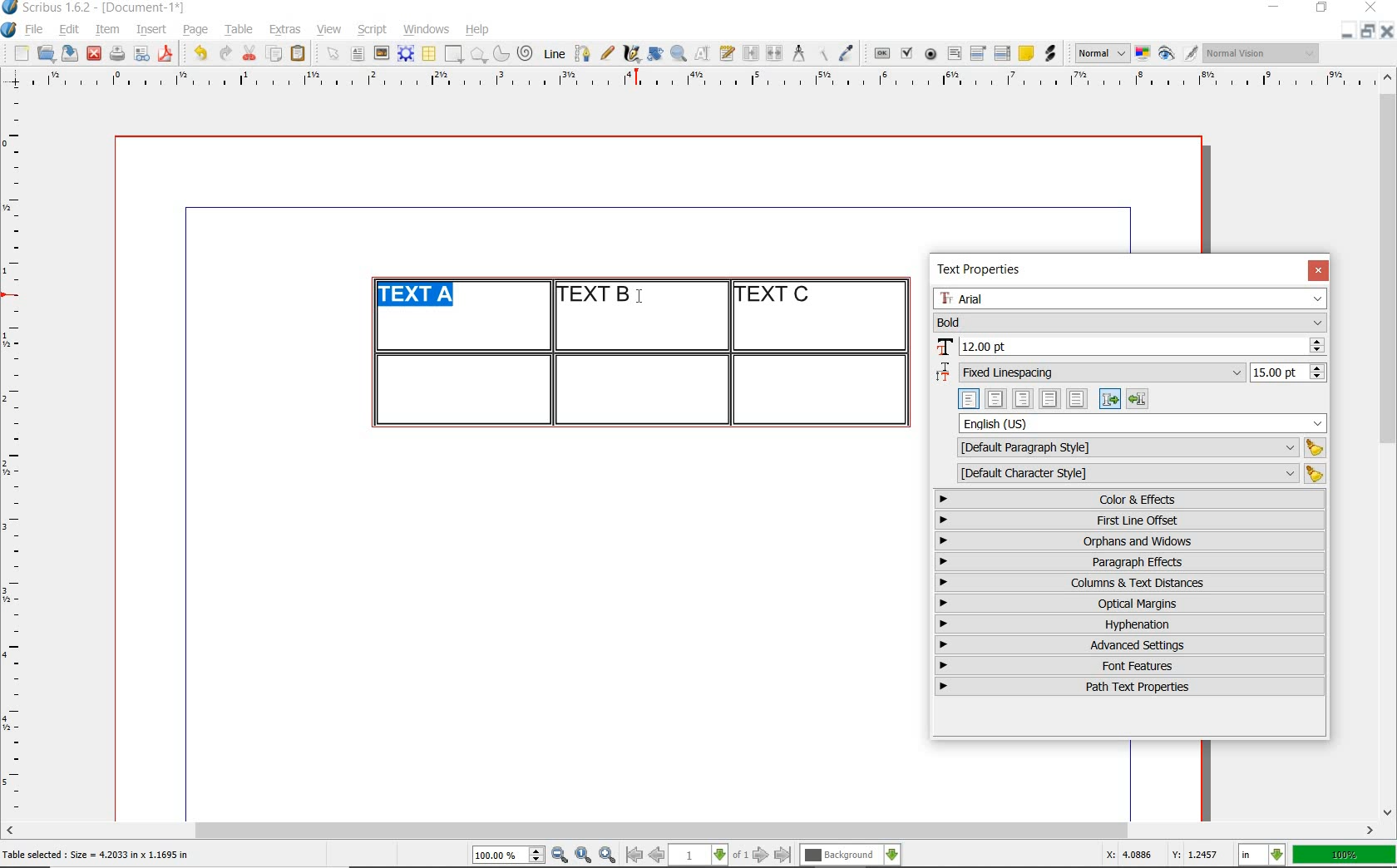  I want to click on link text frames, so click(752, 55).